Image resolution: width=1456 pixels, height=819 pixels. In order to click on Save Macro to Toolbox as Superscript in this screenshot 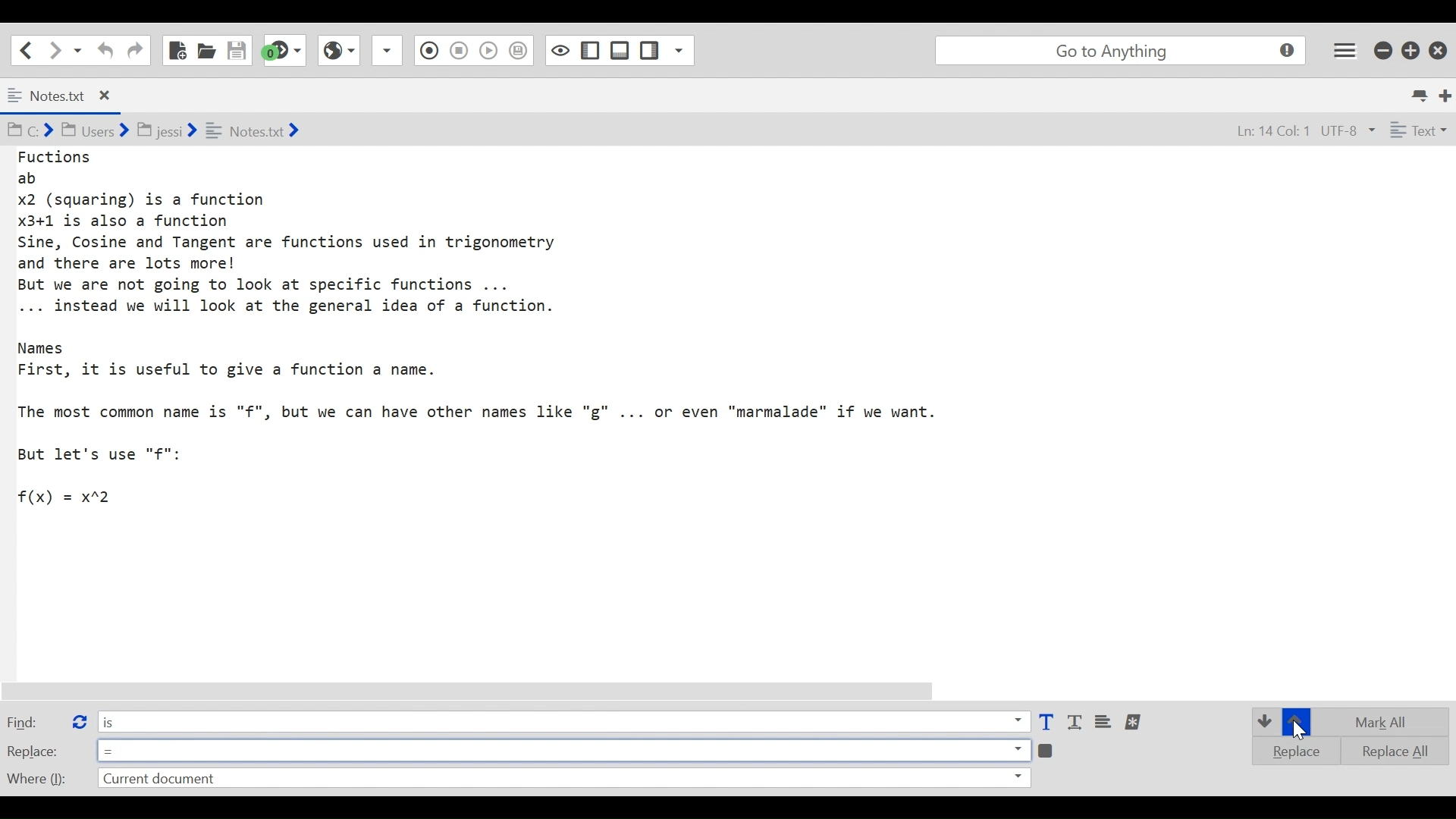, I will do `click(491, 49)`.